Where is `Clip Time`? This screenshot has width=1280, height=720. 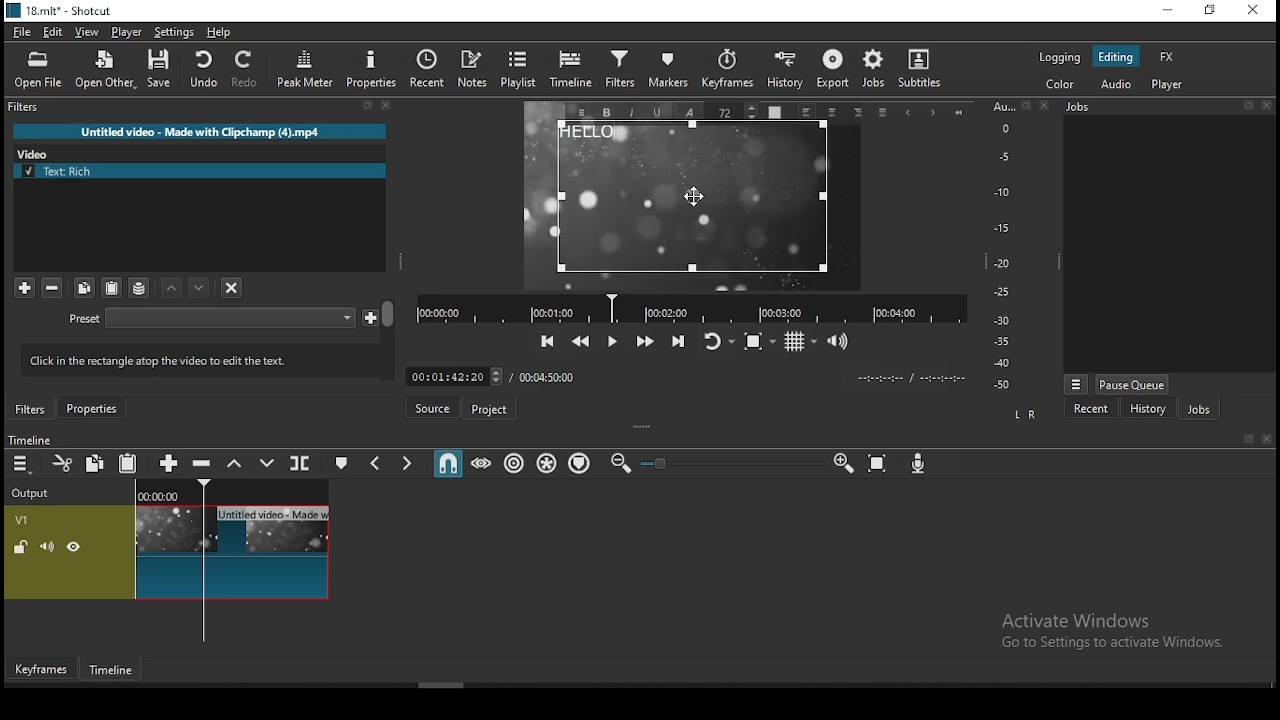
Clip Time is located at coordinates (910, 379).